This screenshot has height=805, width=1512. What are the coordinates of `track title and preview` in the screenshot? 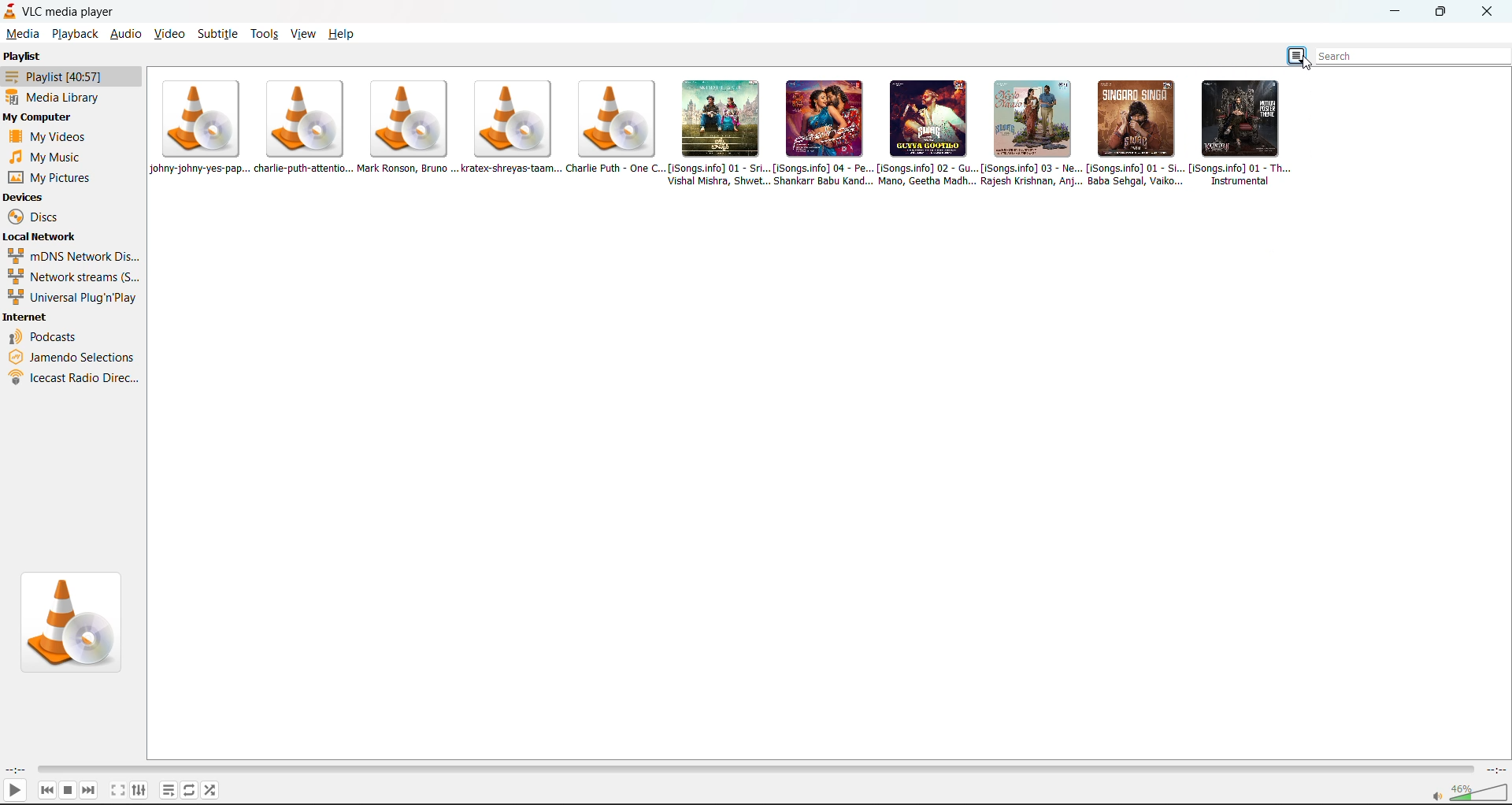 It's located at (202, 128).